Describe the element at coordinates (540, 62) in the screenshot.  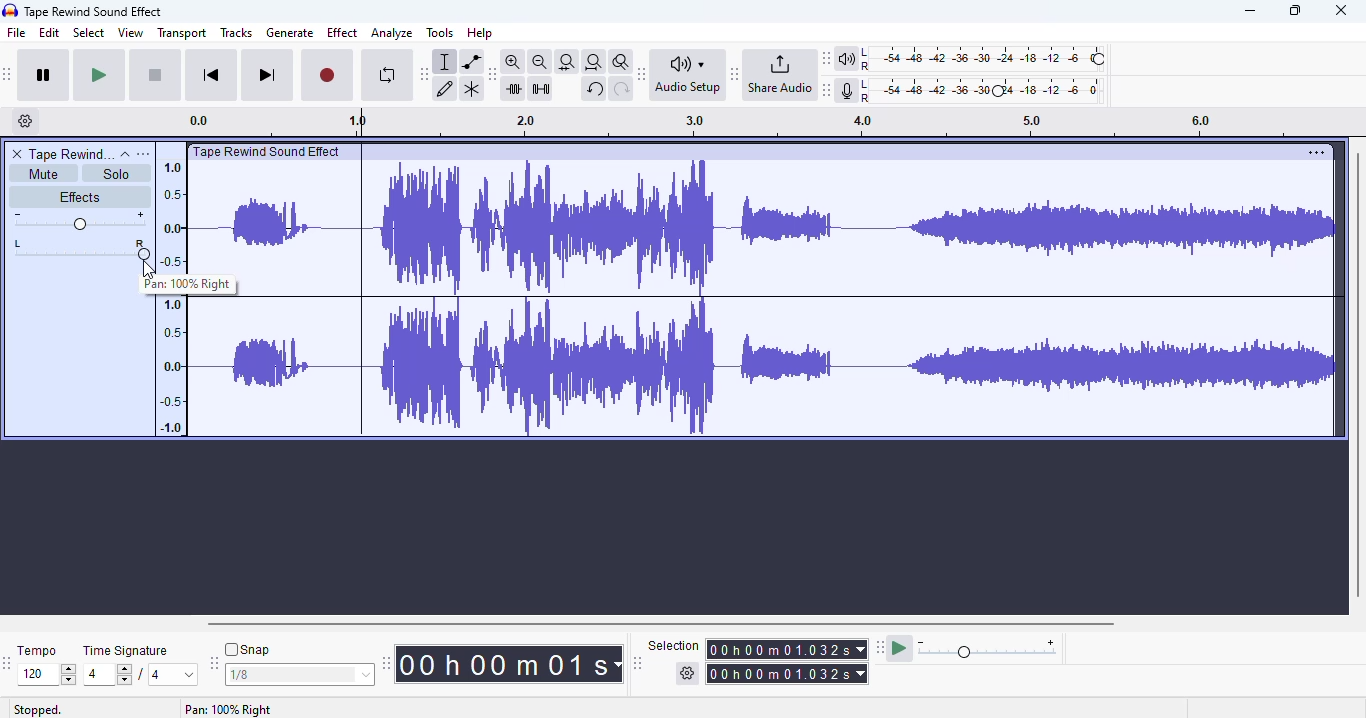
I see `zoom out` at that location.